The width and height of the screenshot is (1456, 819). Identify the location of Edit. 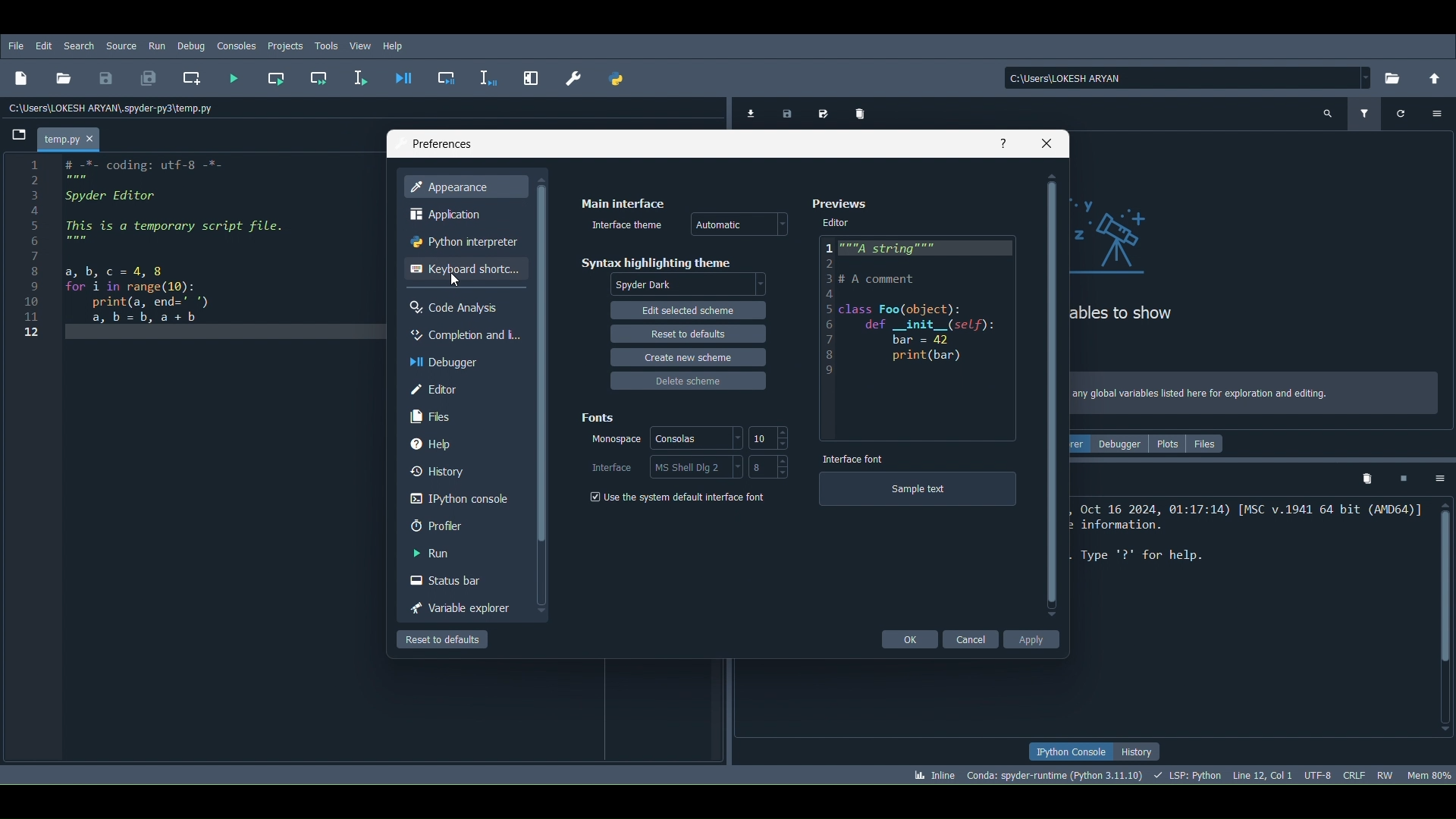
(42, 46).